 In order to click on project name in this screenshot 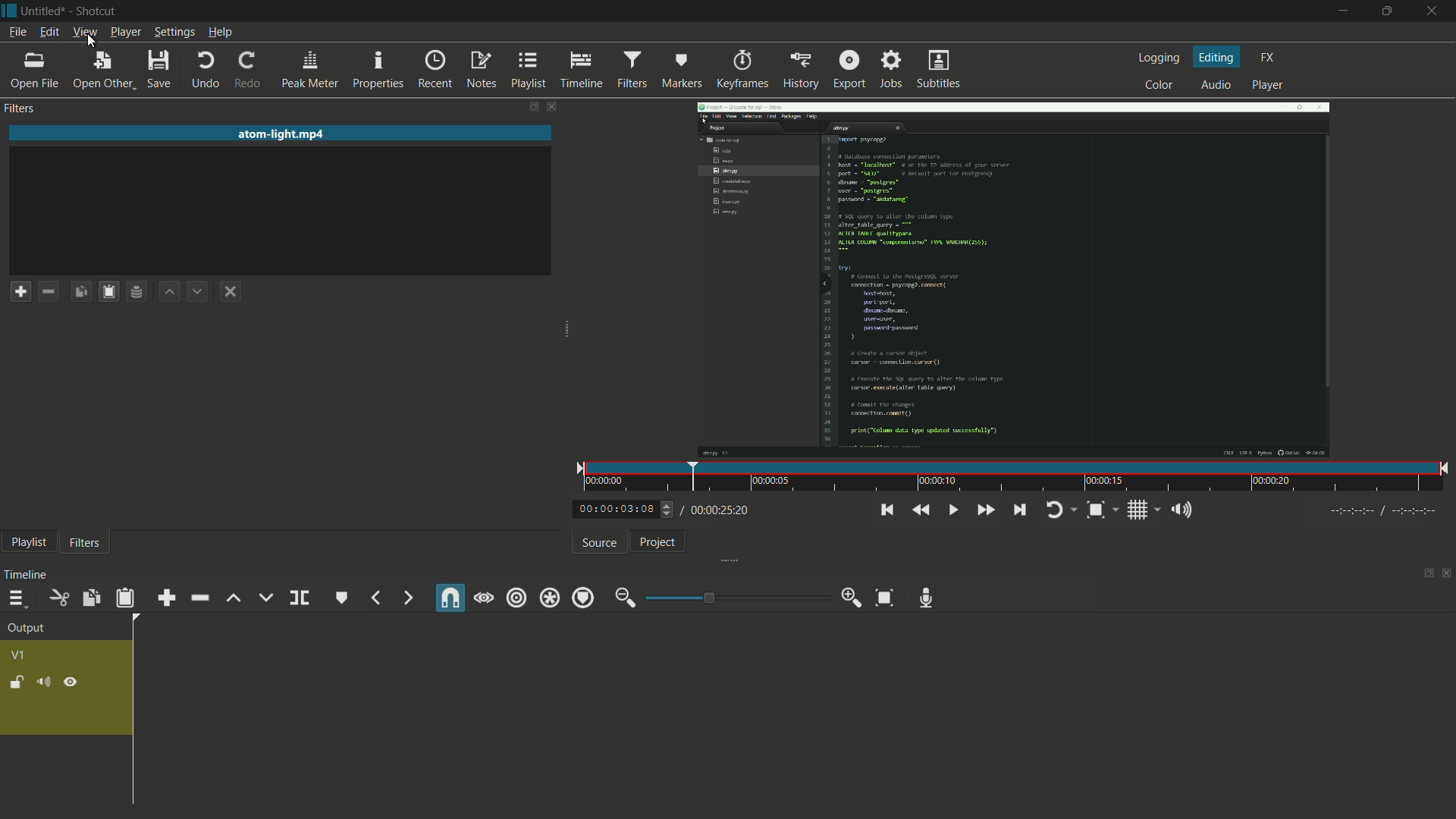, I will do `click(44, 11)`.